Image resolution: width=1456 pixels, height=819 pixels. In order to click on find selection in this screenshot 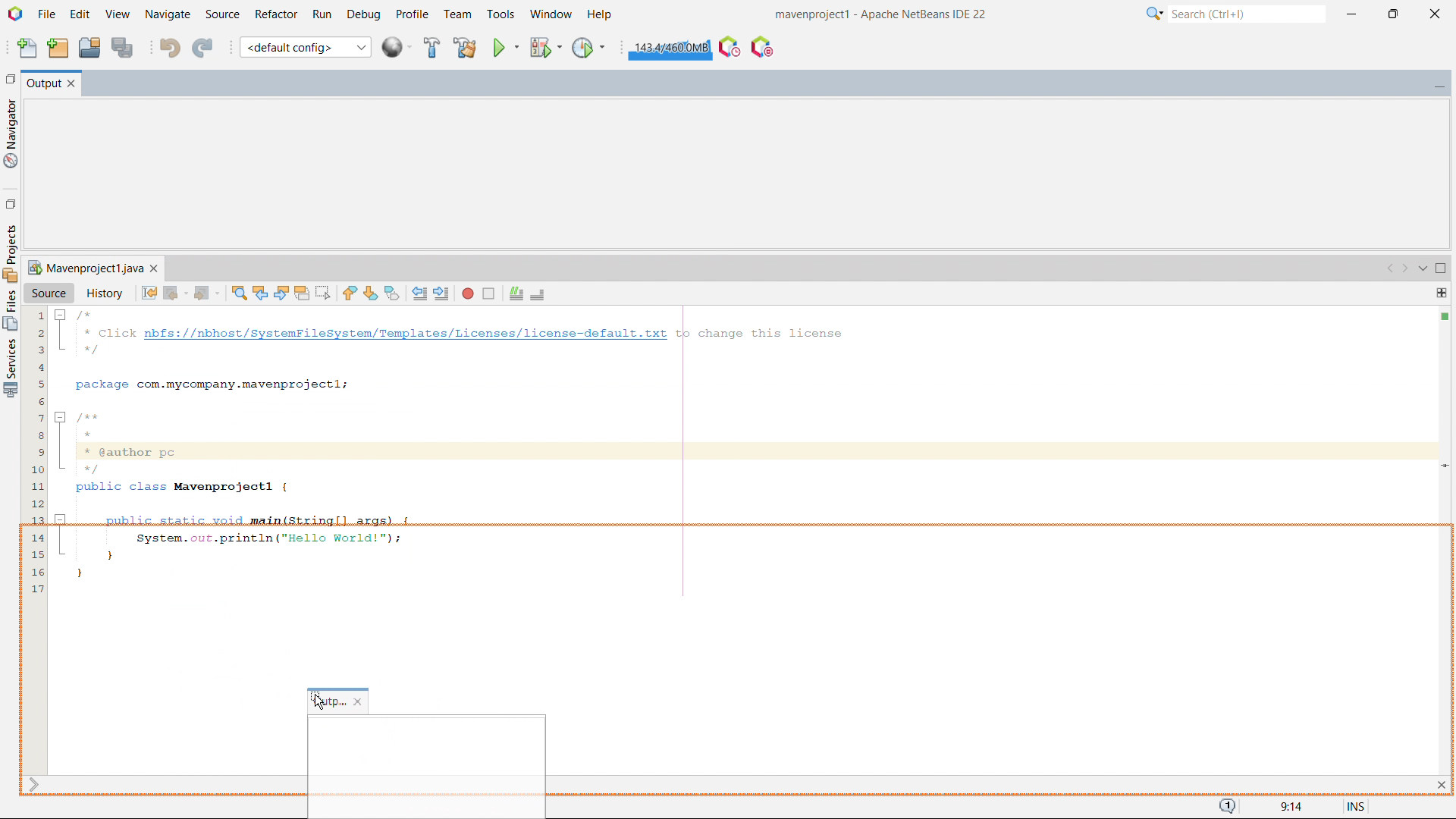, I will do `click(240, 293)`.